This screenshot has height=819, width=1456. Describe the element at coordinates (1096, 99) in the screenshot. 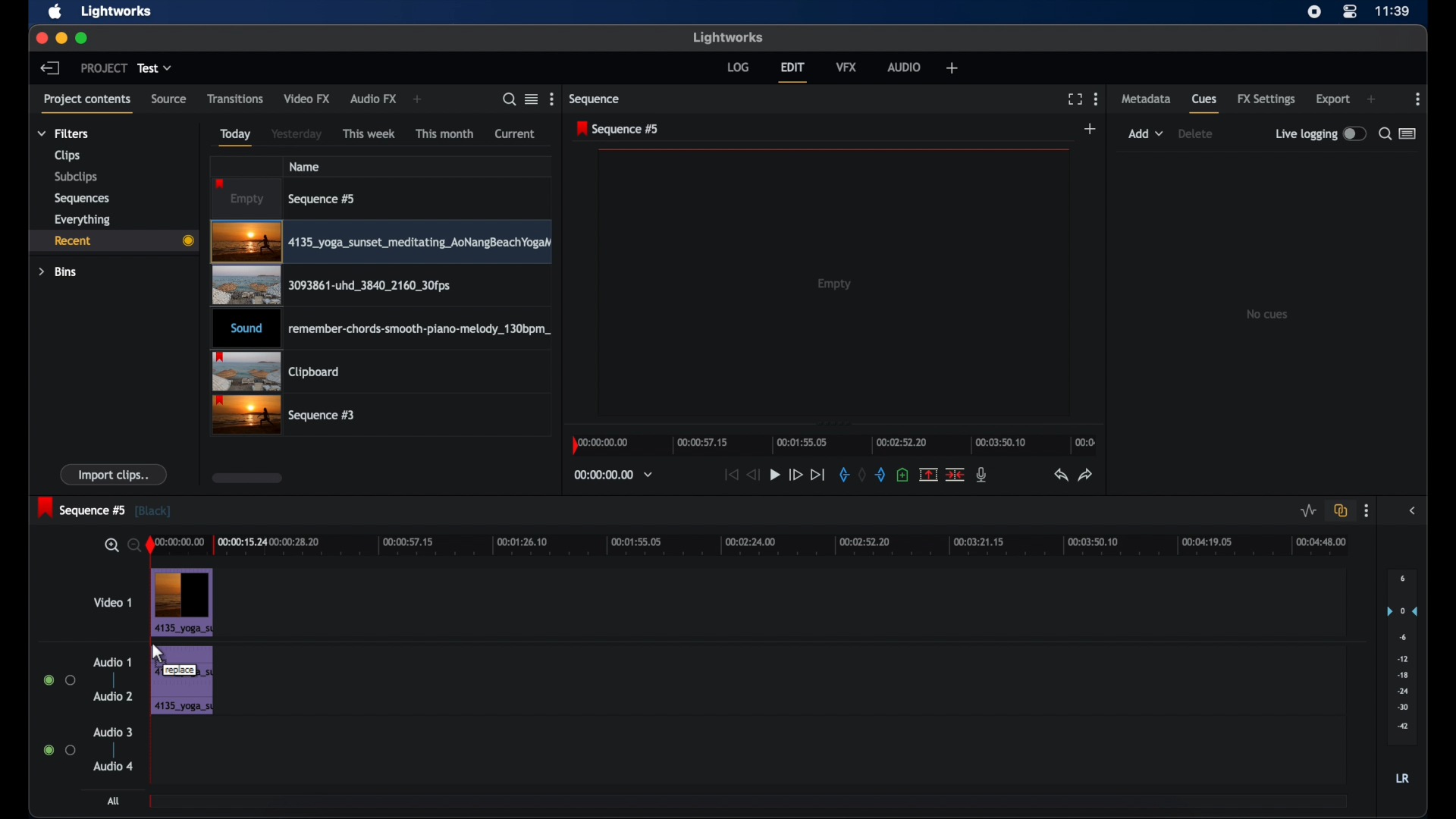

I see `more options` at that location.